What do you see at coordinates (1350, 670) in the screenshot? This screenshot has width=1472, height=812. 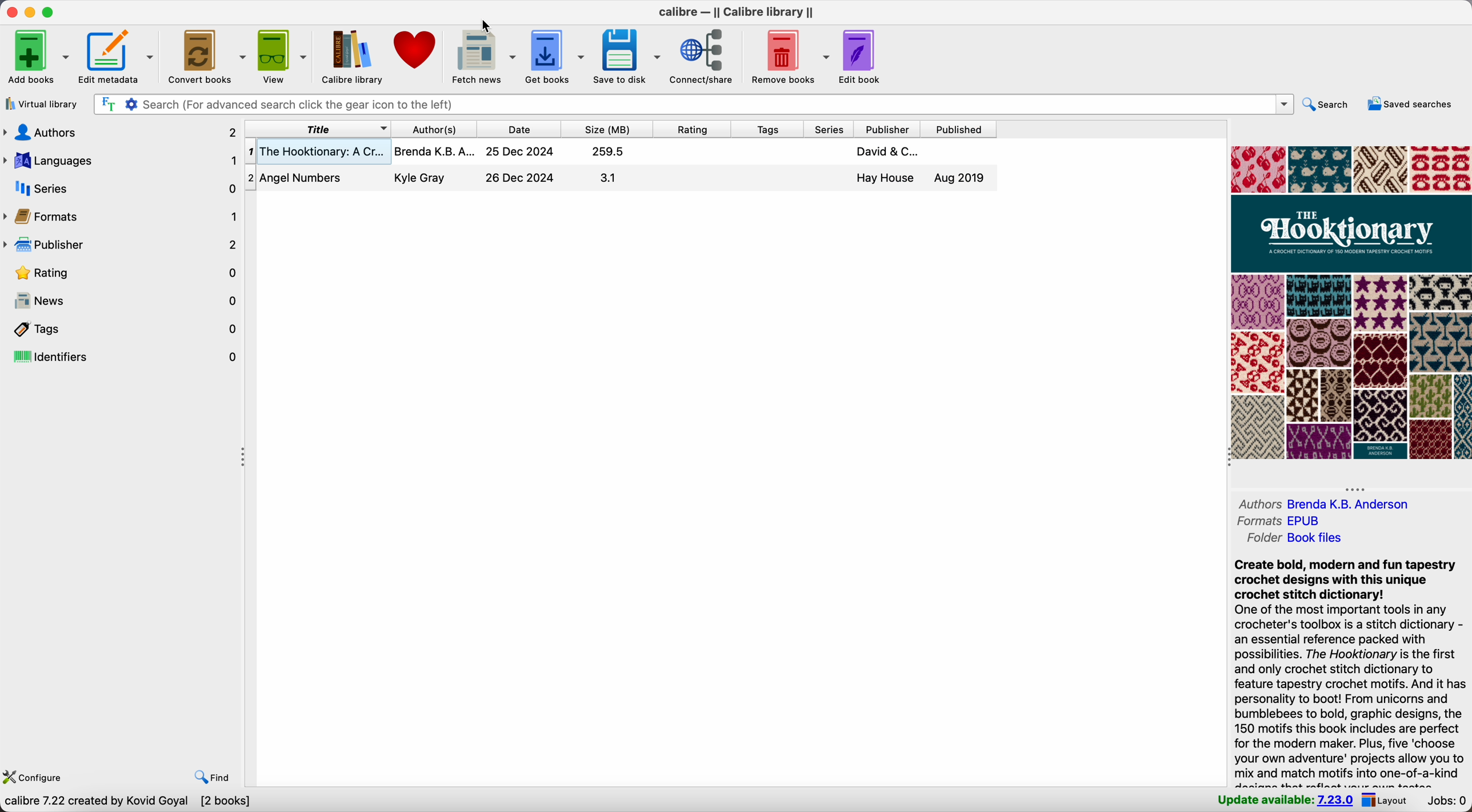 I see `synopsis` at bounding box center [1350, 670].